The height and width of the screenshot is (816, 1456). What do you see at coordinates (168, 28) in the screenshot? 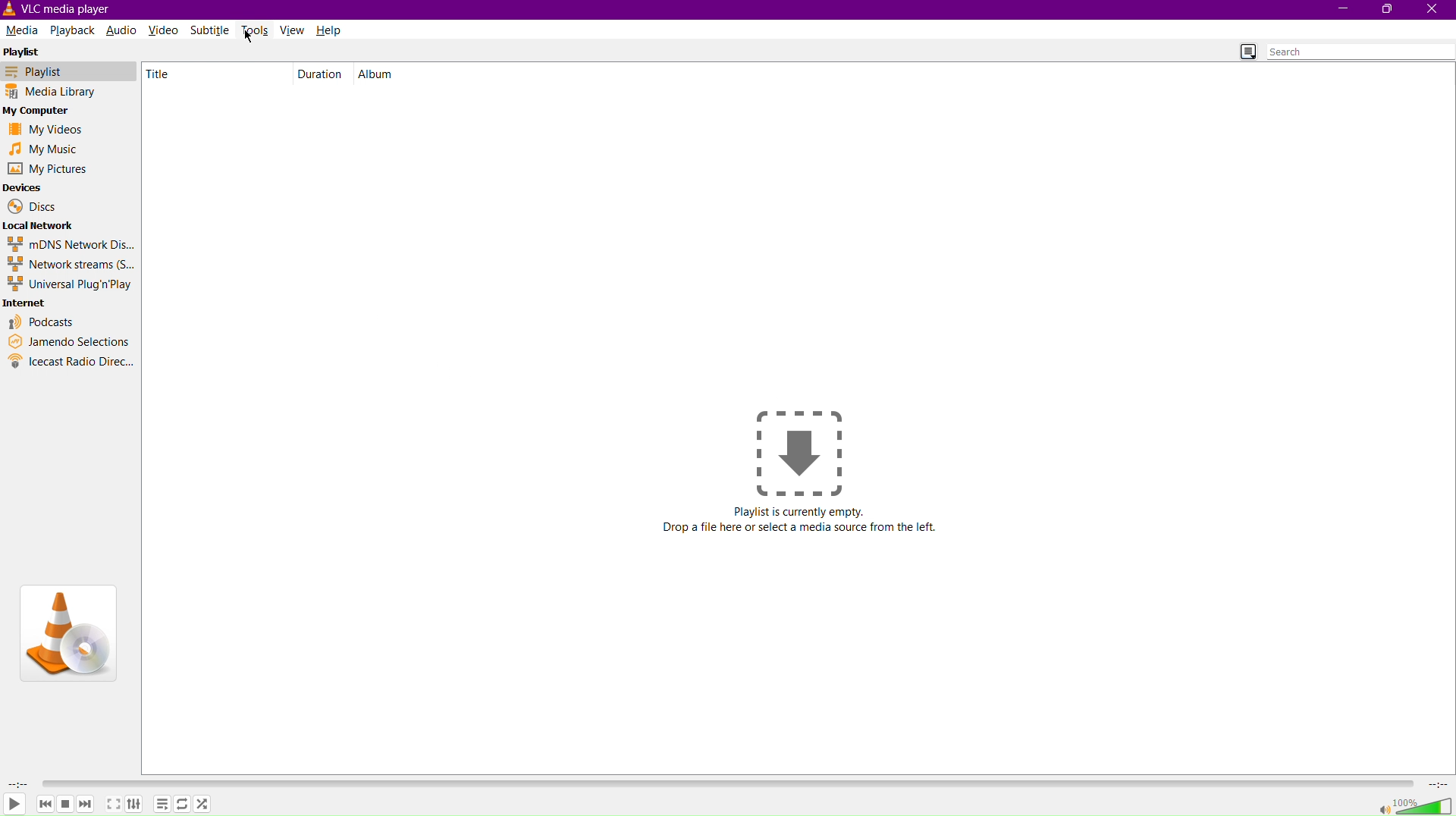
I see `Video` at bounding box center [168, 28].